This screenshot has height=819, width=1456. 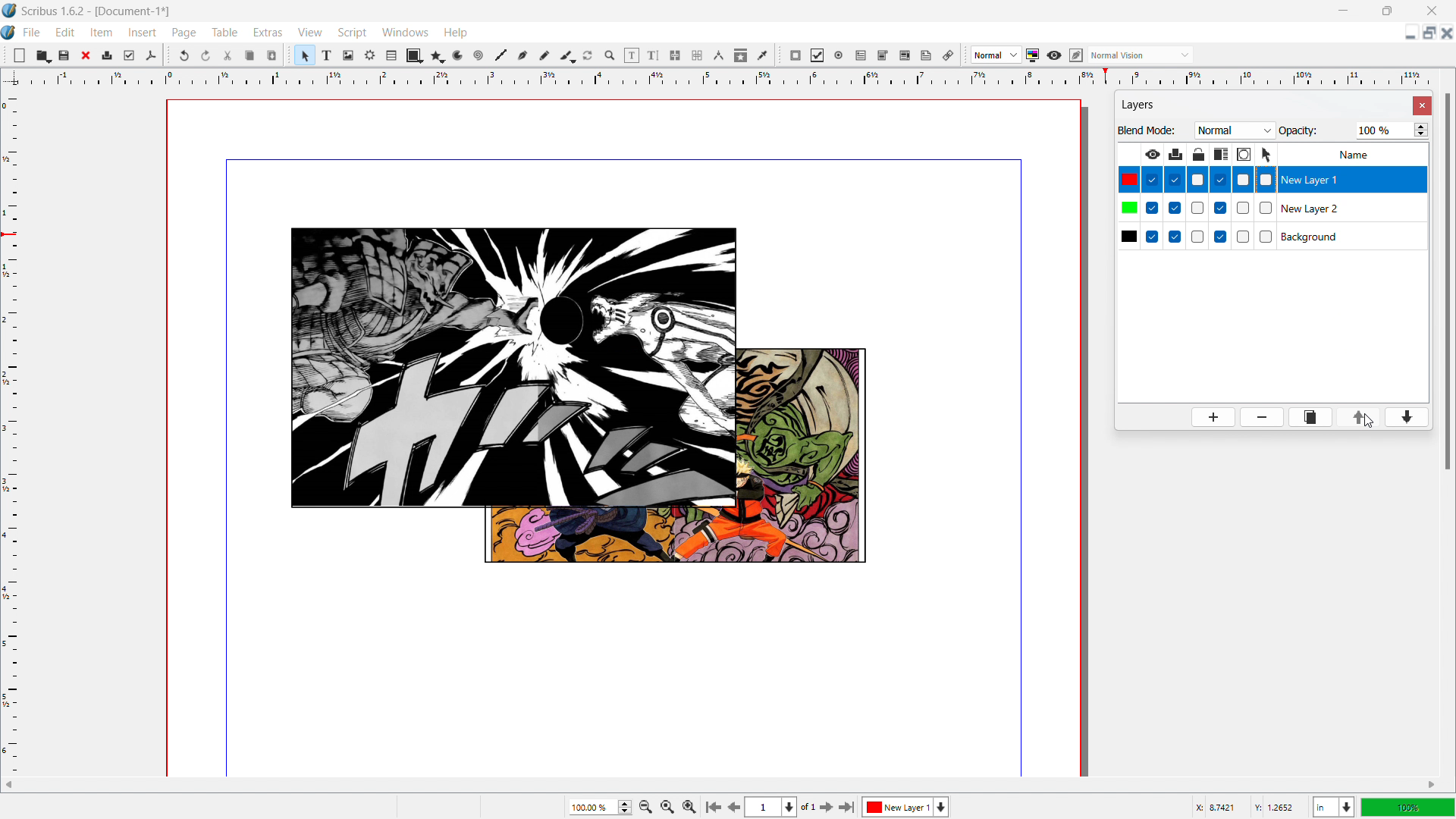 I want to click on image frame, so click(x=349, y=55).